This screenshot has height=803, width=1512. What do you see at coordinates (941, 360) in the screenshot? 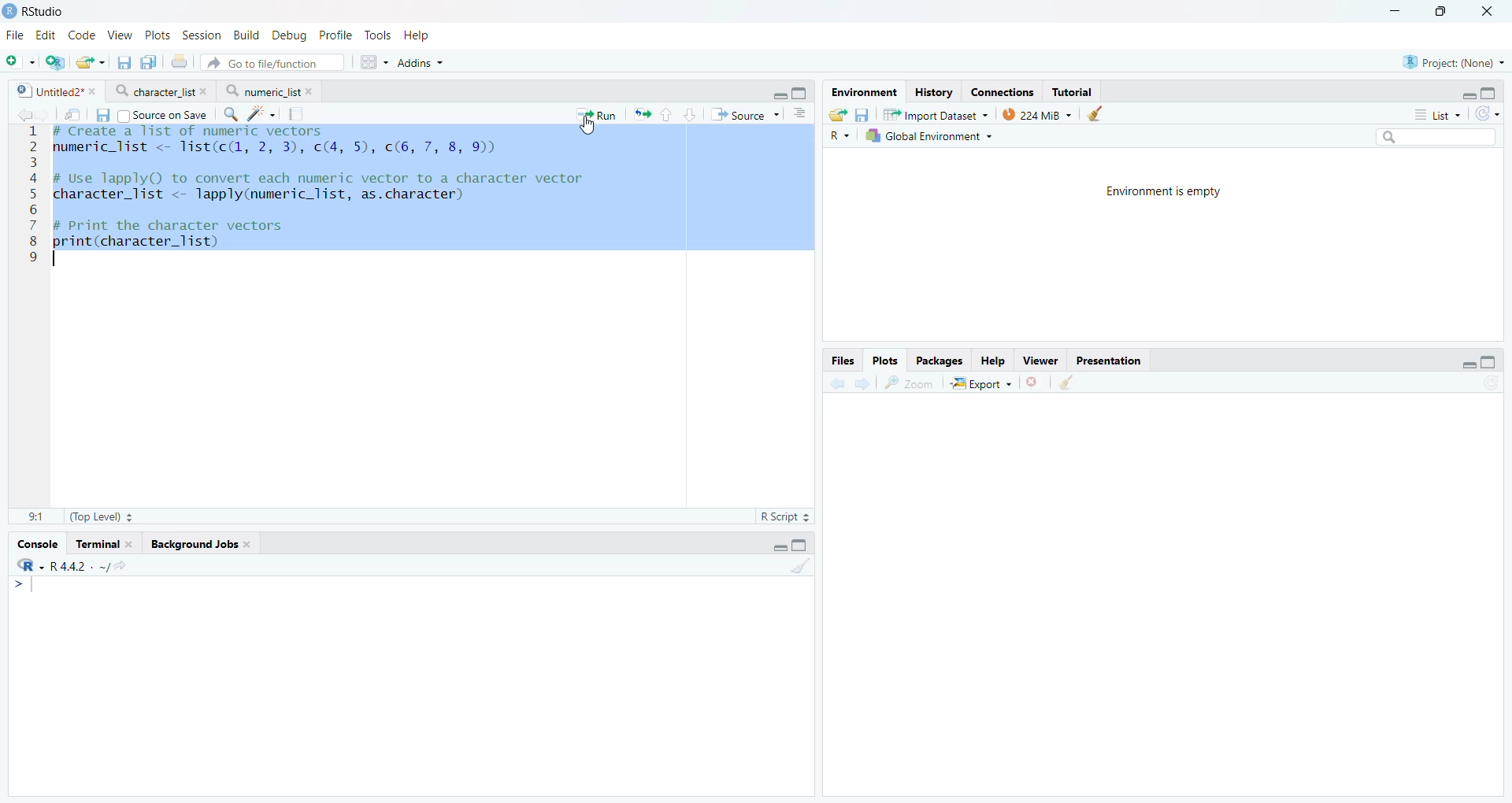
I see `Packages` at bounding box center [941, 360].